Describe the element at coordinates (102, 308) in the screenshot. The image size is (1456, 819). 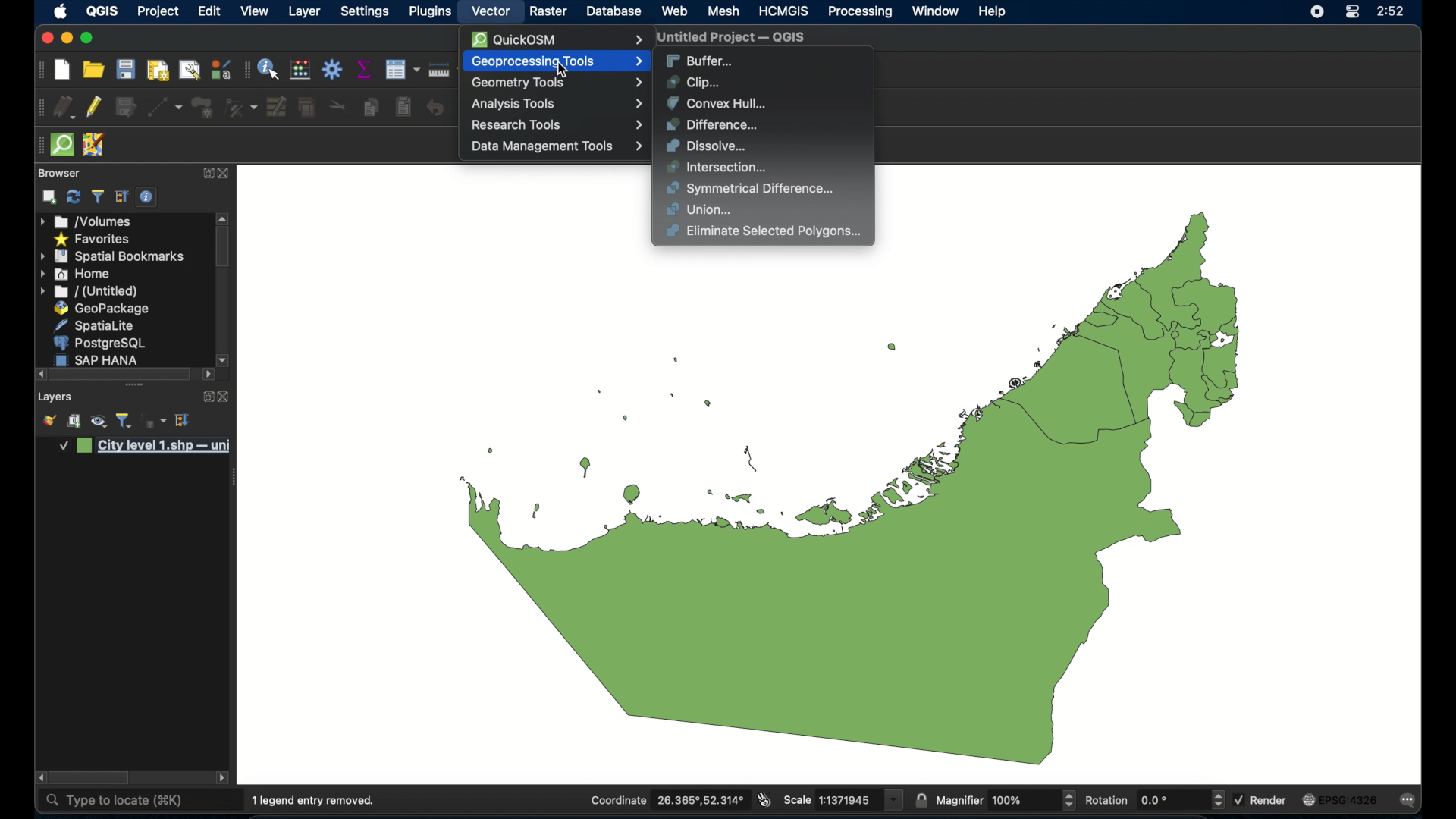
I see `geopackage` at that location.